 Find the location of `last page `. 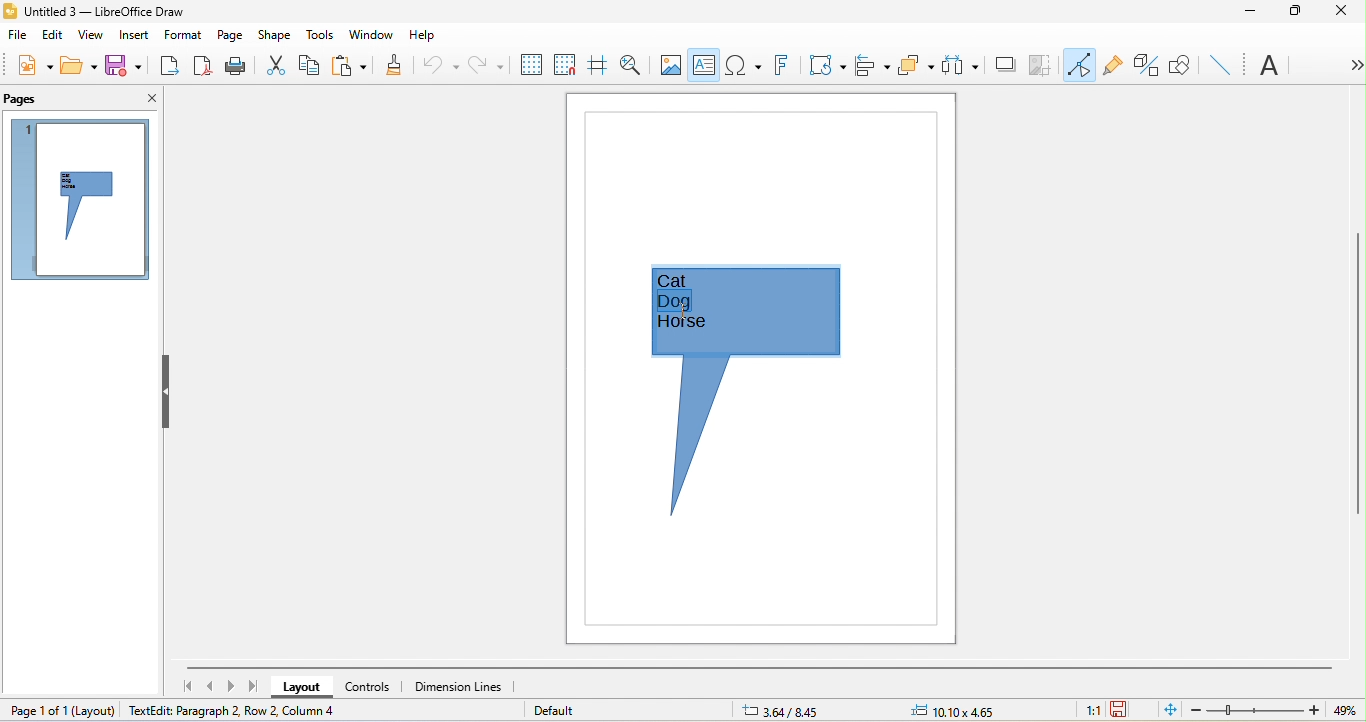

last page  is located at coordinates (253, 688).